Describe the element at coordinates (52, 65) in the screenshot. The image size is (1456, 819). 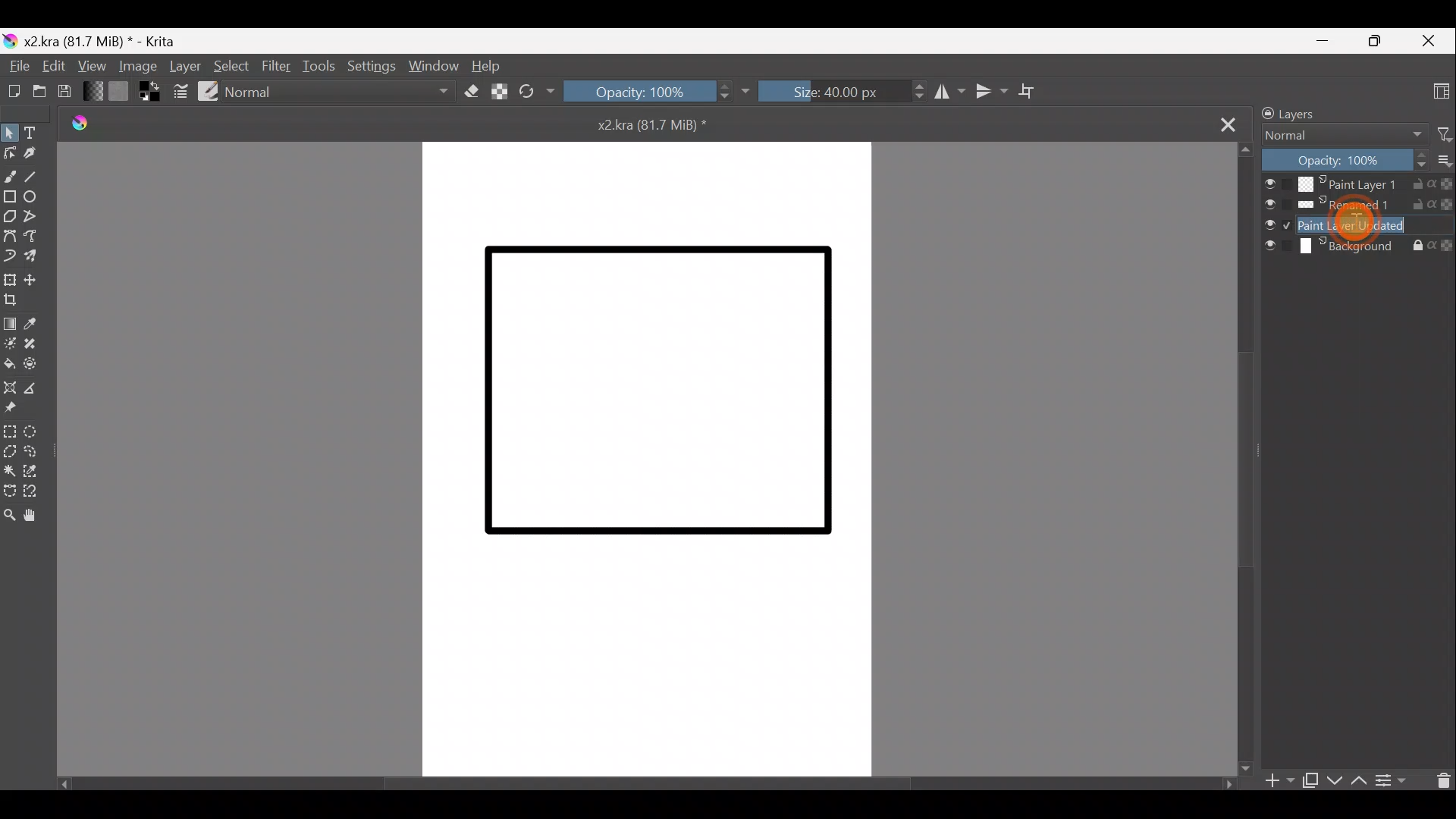
I see `Edit` at that location.